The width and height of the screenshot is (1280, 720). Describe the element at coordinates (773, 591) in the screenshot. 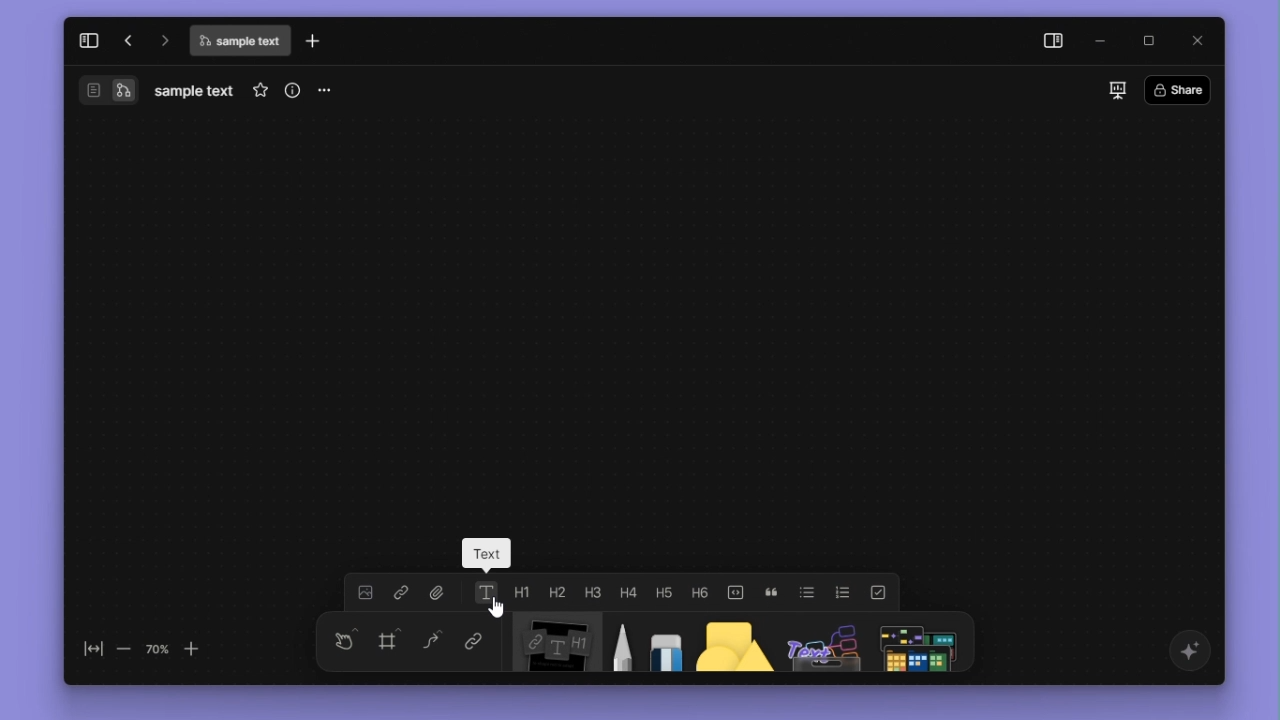

I see `quote` at that location.